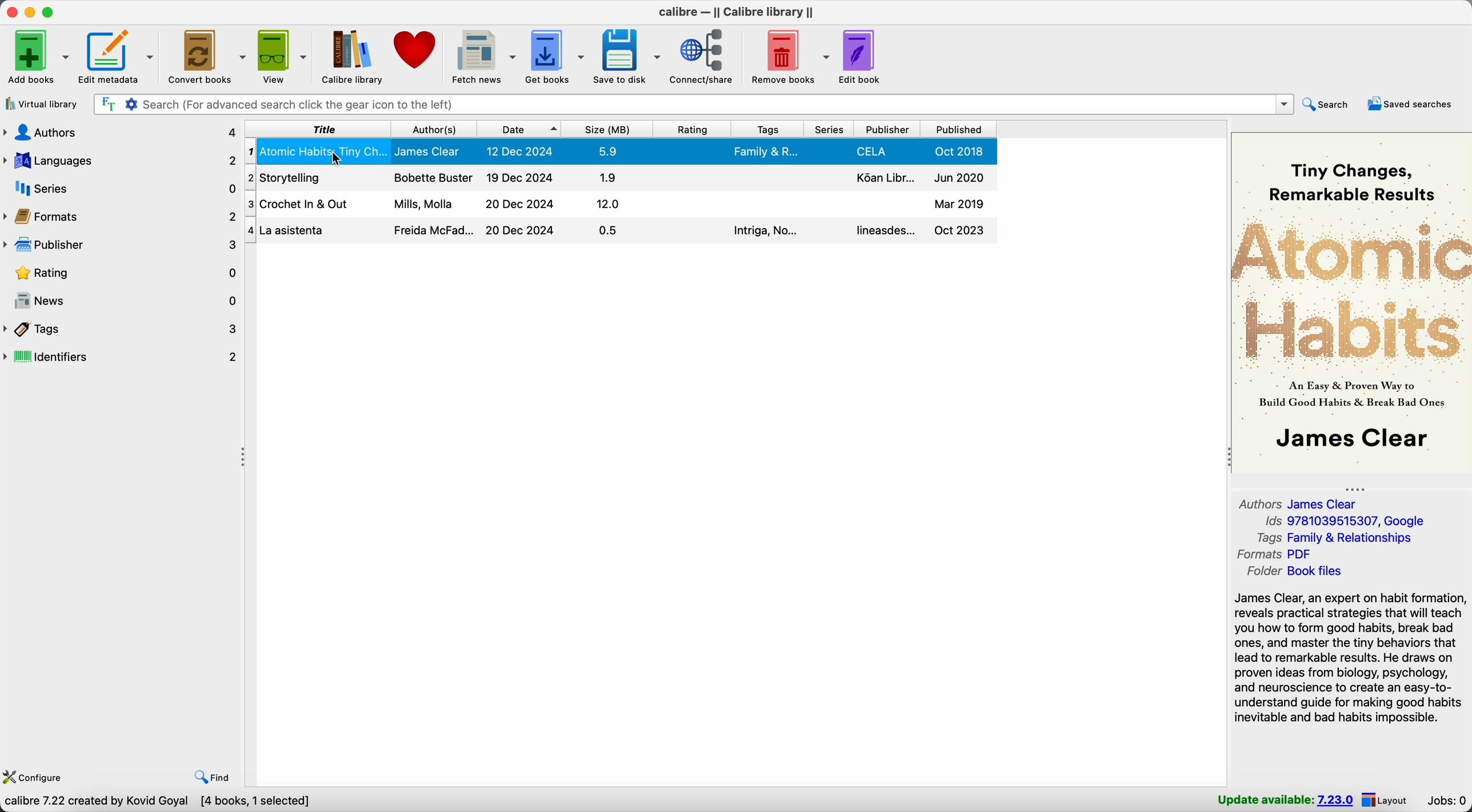 The height and width of the screenshot is (812, 1472). What do you see at coordinates (30, 13) in the screenshot?
I see `minimize calibre` at bounding box center [30, 13].